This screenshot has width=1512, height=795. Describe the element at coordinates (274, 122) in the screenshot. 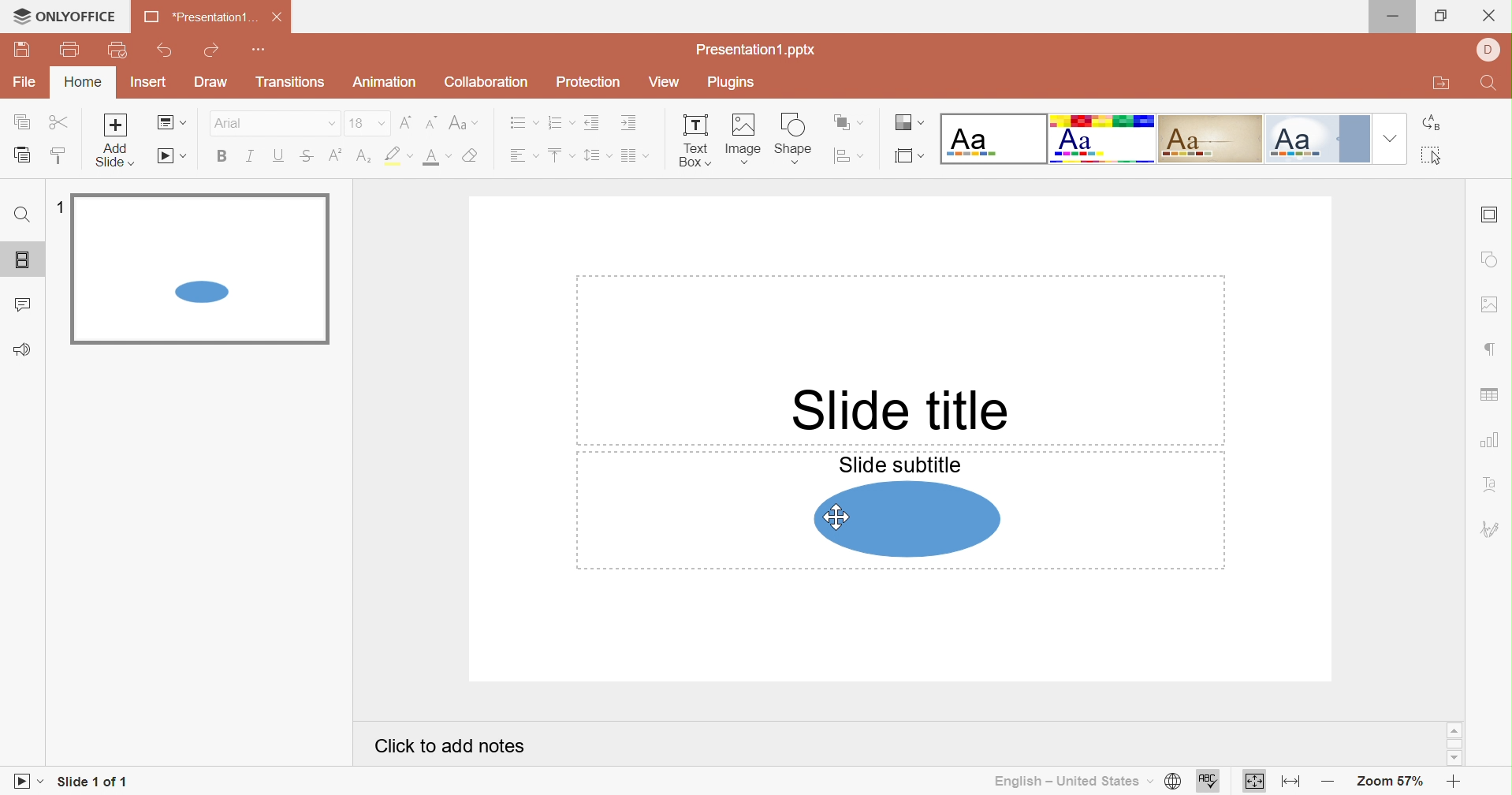

I see `Font type Arial` at that location.